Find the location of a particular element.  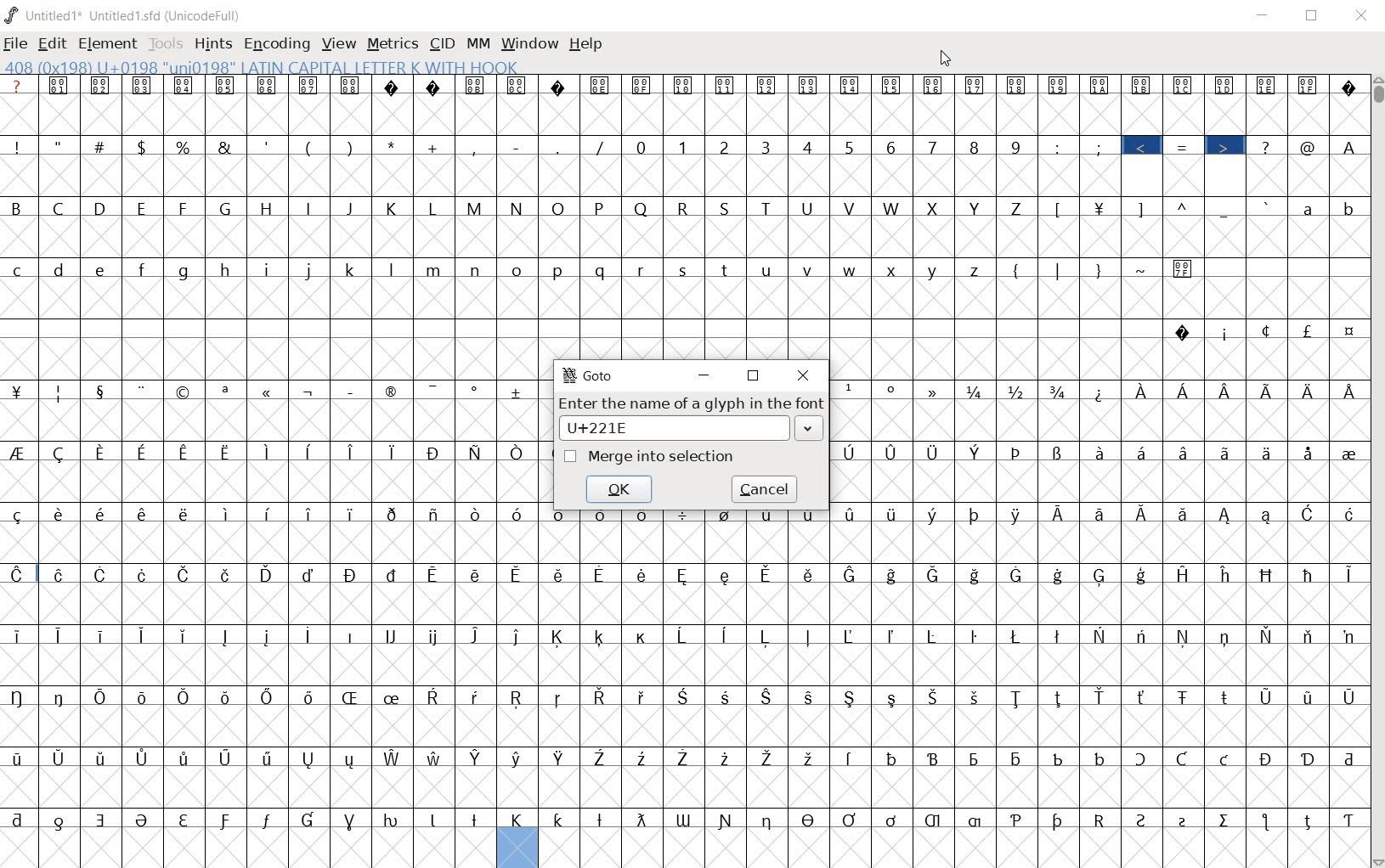

highlighted symbol is located at coordinates (1224, 144).